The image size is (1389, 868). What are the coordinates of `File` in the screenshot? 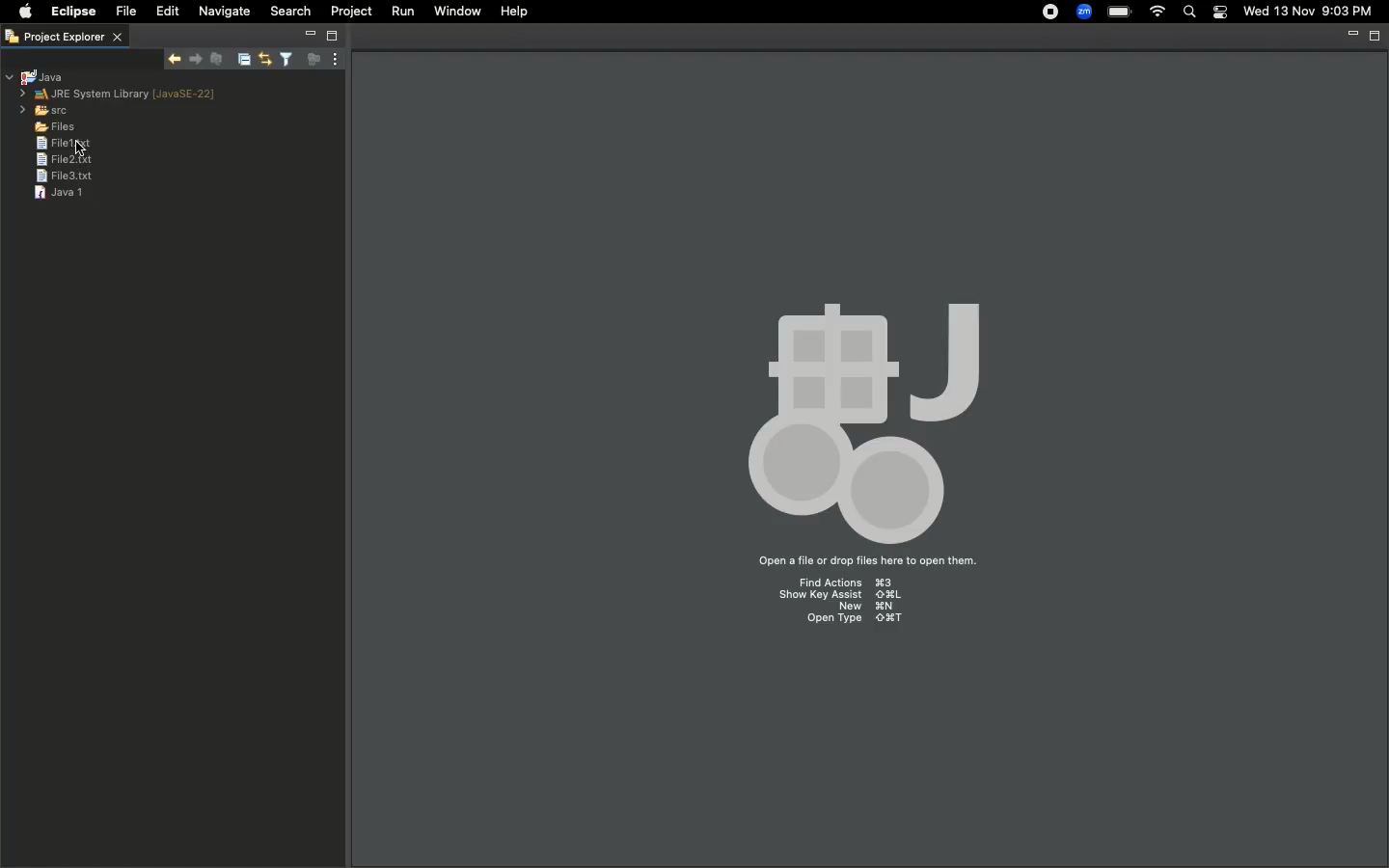 It's located at (124, 12).